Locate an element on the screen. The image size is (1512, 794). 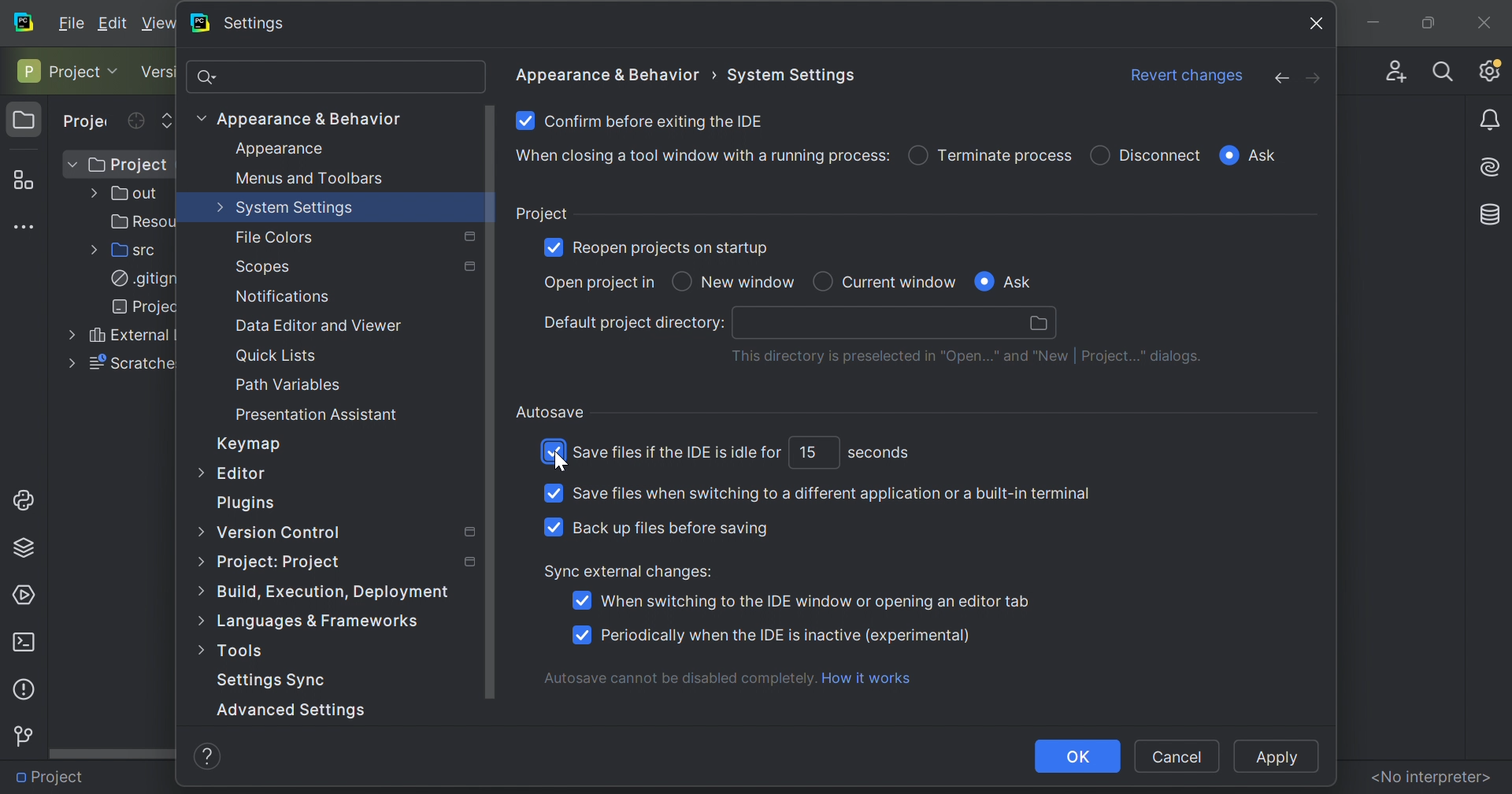
seconds is located at coordinates (880, 455).